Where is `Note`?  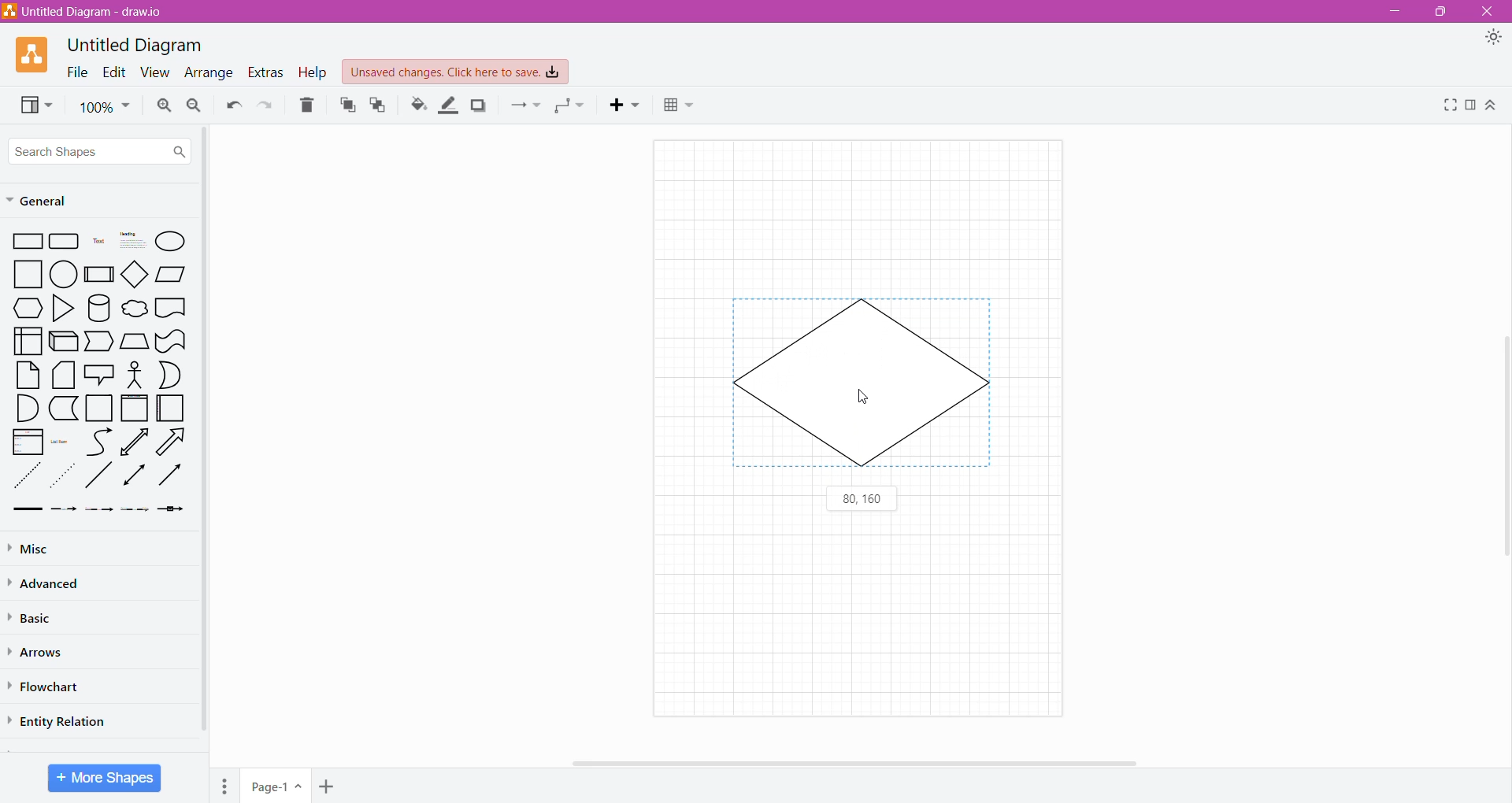
Note is located at coordinates (28, 375).